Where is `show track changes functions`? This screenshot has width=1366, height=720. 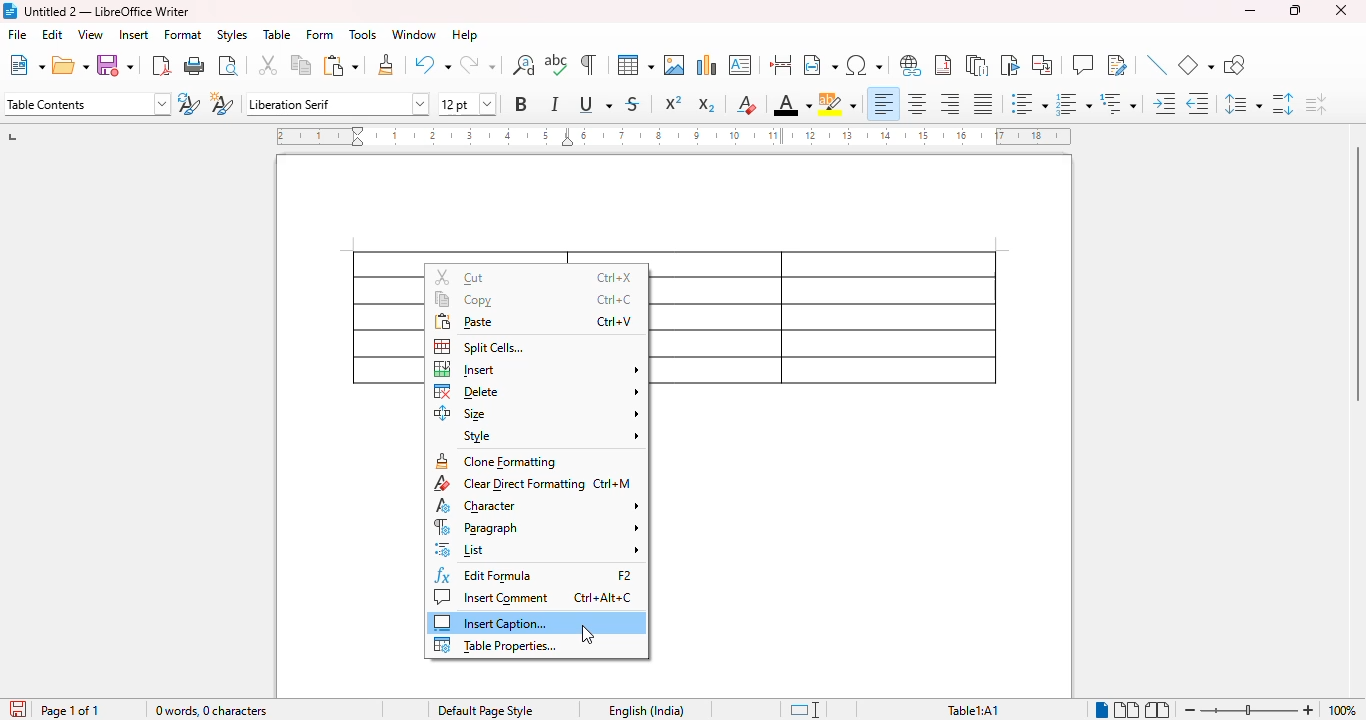
show track changes functions is located at coordinates (1118, 64).